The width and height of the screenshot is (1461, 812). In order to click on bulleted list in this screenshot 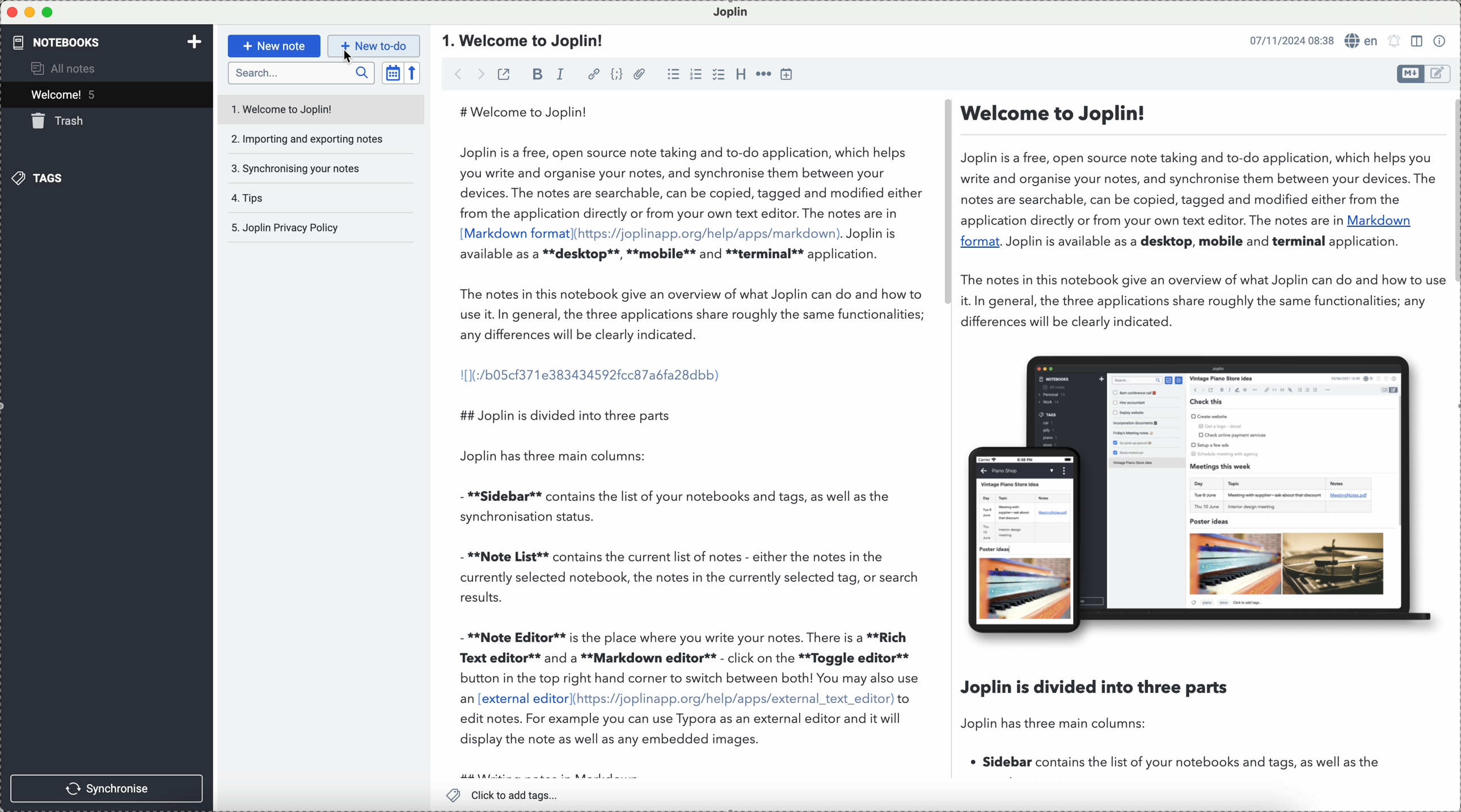, I will do `click(673, 74)`.